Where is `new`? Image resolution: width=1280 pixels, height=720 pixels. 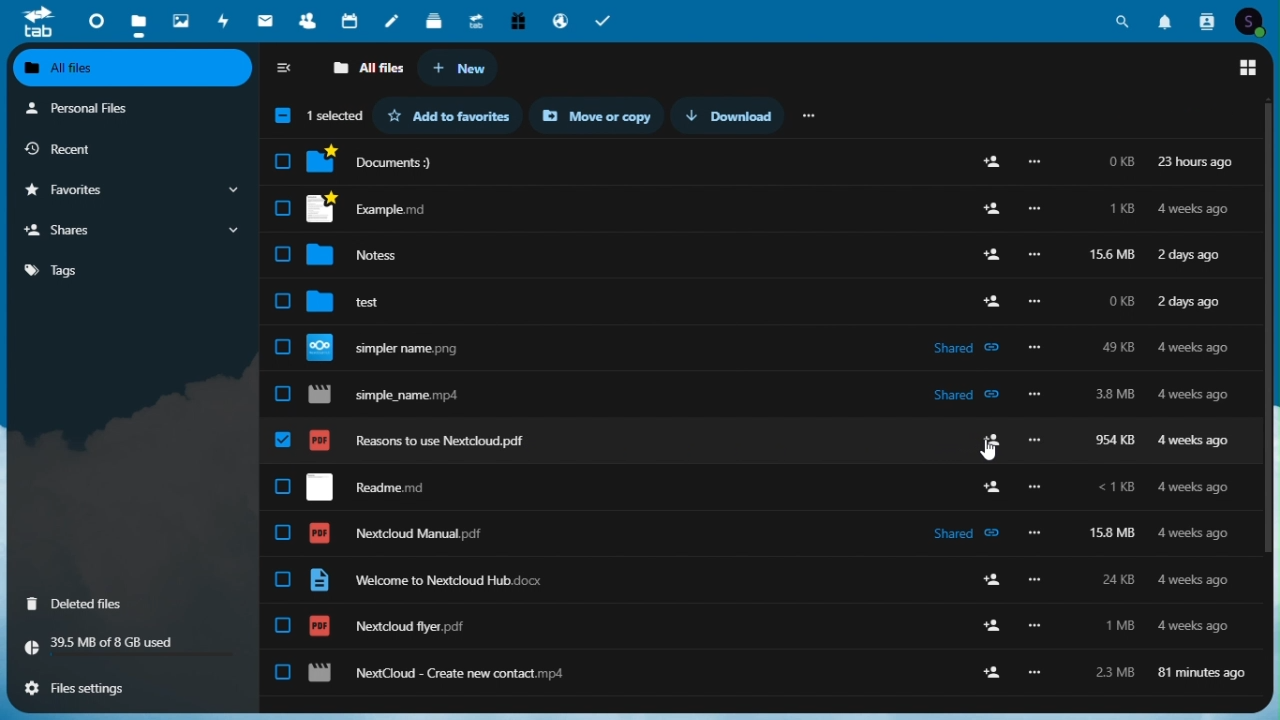 new is located at coordinates (466, 68).